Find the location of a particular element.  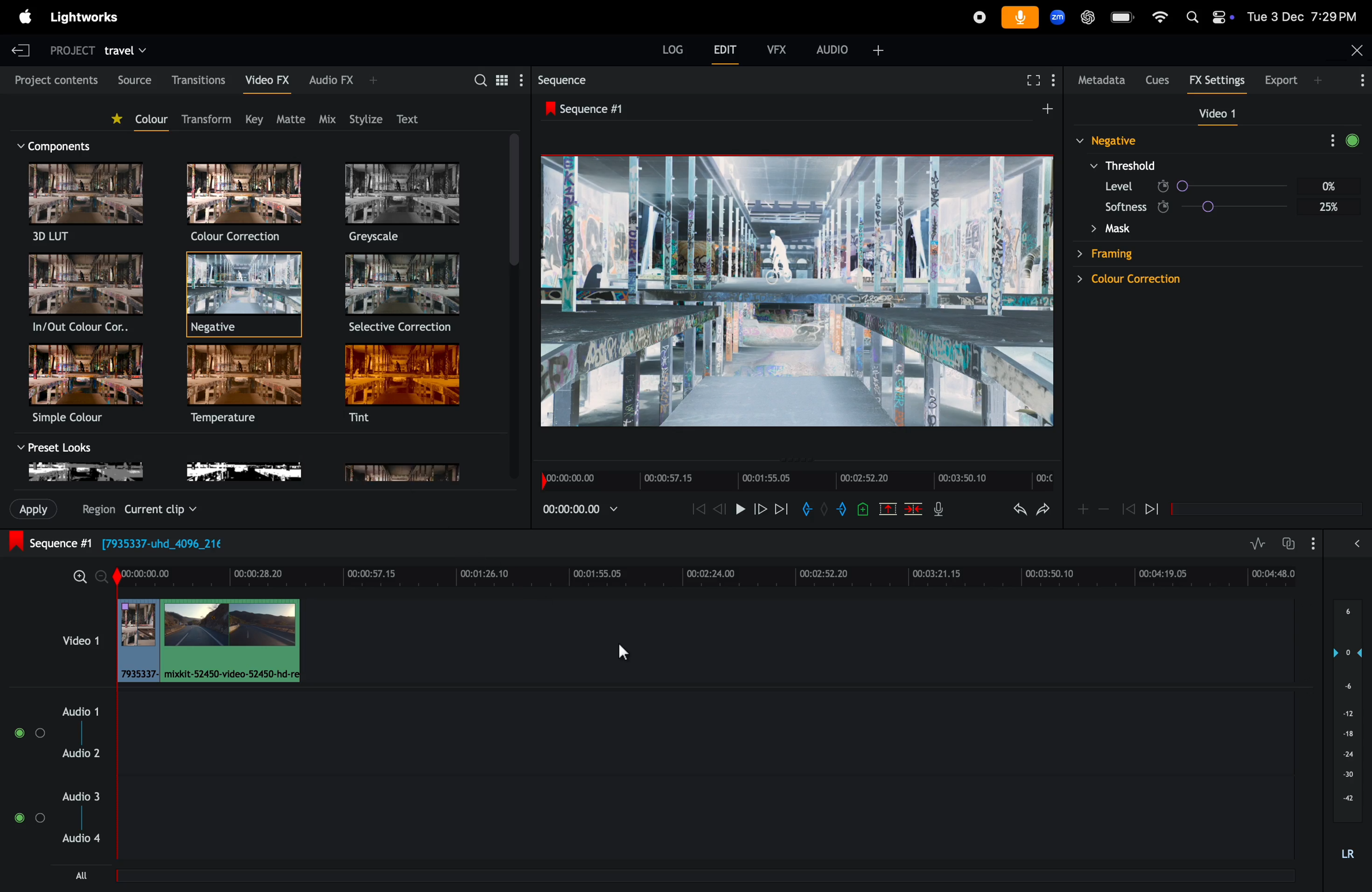

video 1 is located at coordinates (1216, 114).